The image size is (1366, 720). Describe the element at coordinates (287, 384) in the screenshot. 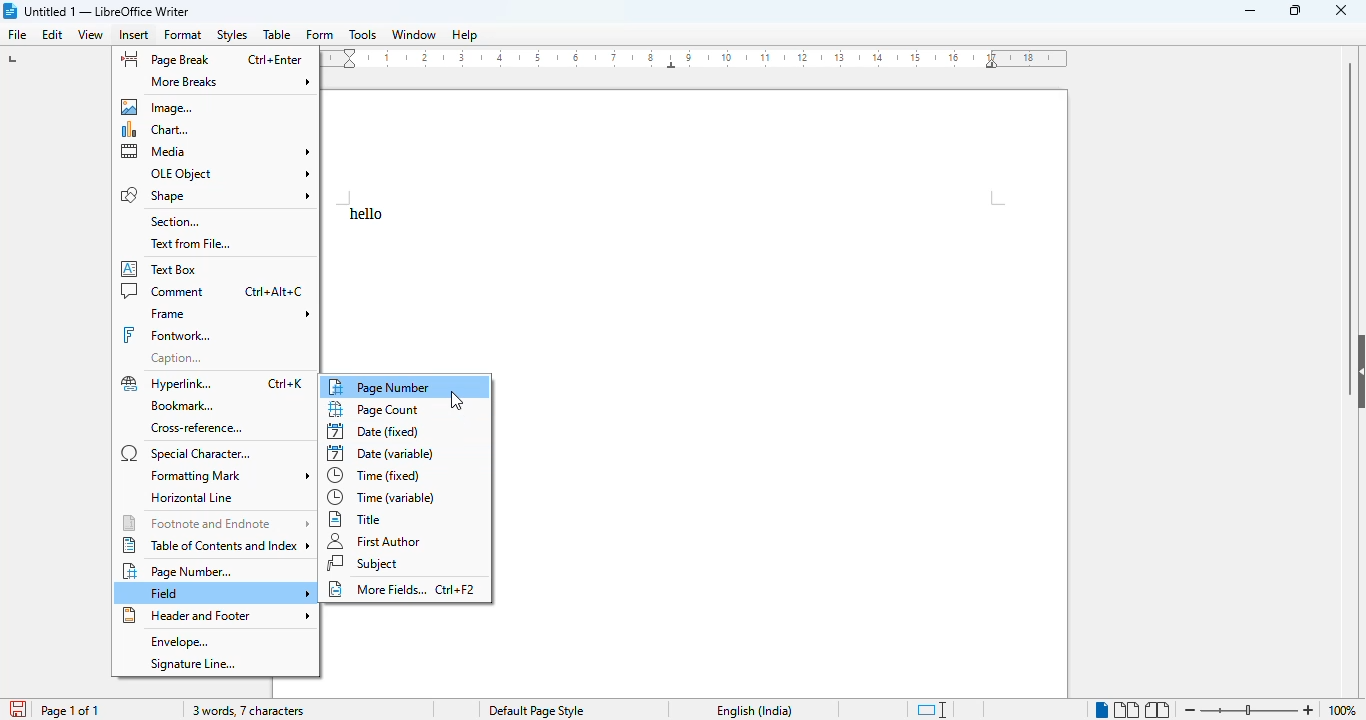

I see `shortcut for hyperlink` at that location.